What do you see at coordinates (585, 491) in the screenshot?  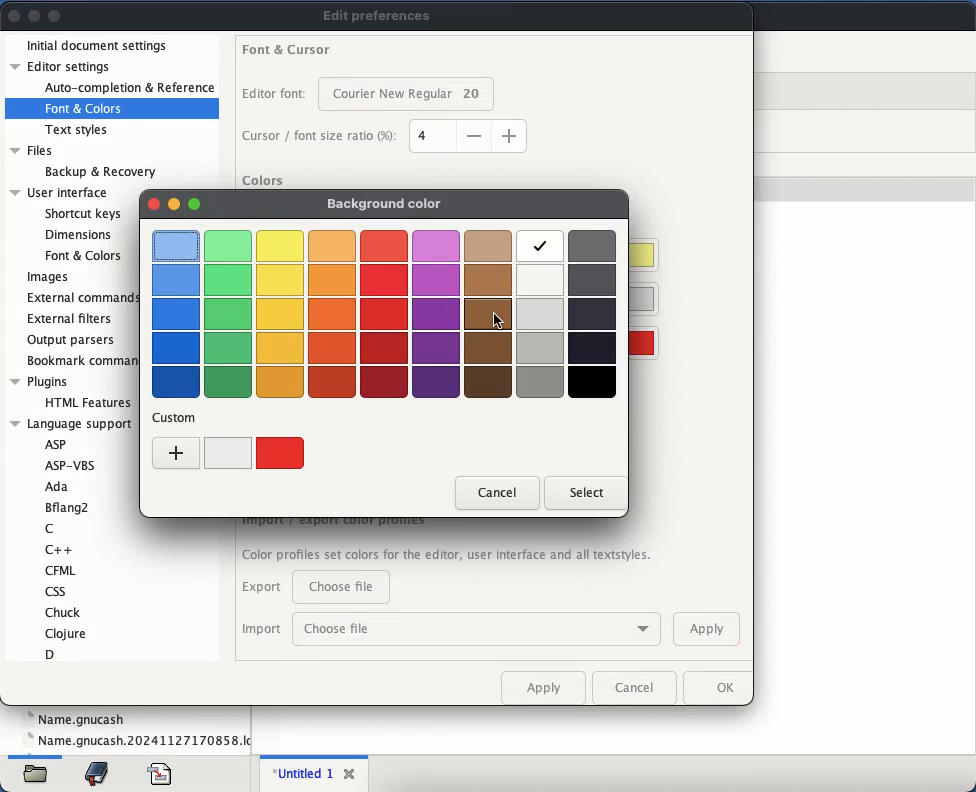 I see `select` at bounding box center [585, 491].